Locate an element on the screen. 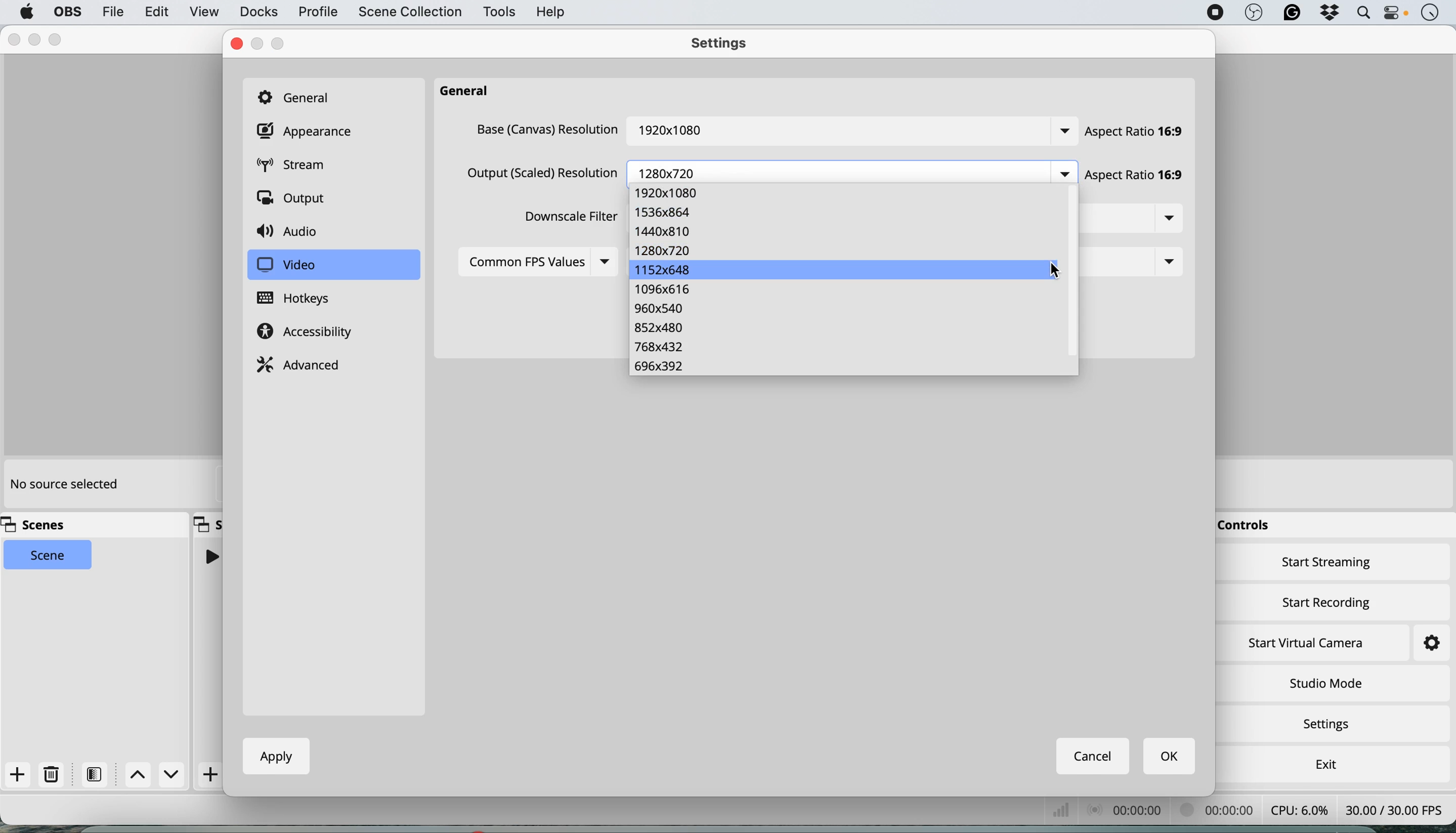  scene is located at coordinates (49, 556).